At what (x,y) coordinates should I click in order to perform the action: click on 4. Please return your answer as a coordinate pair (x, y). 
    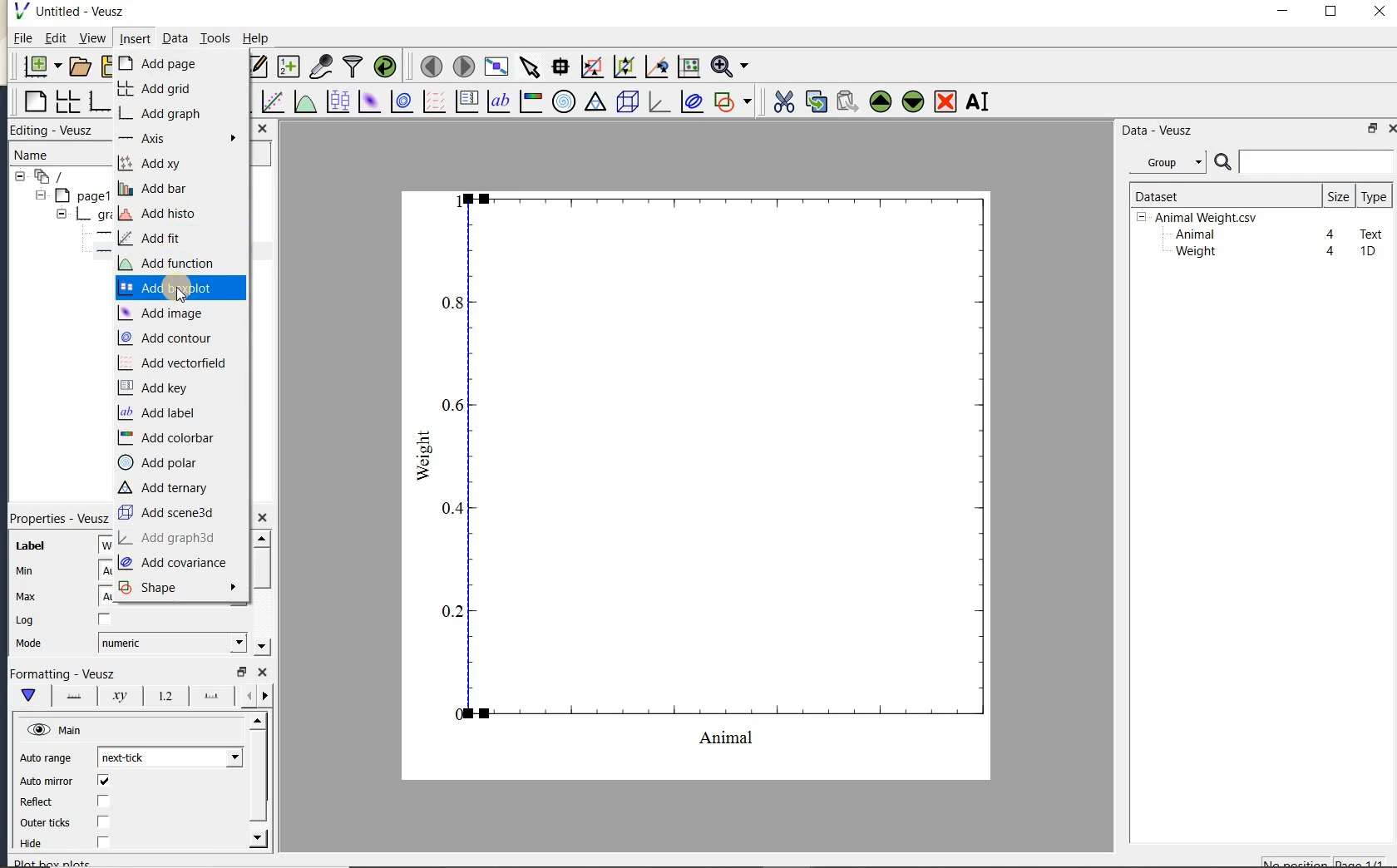
    Looking at the image, I should click on (1331, 252).